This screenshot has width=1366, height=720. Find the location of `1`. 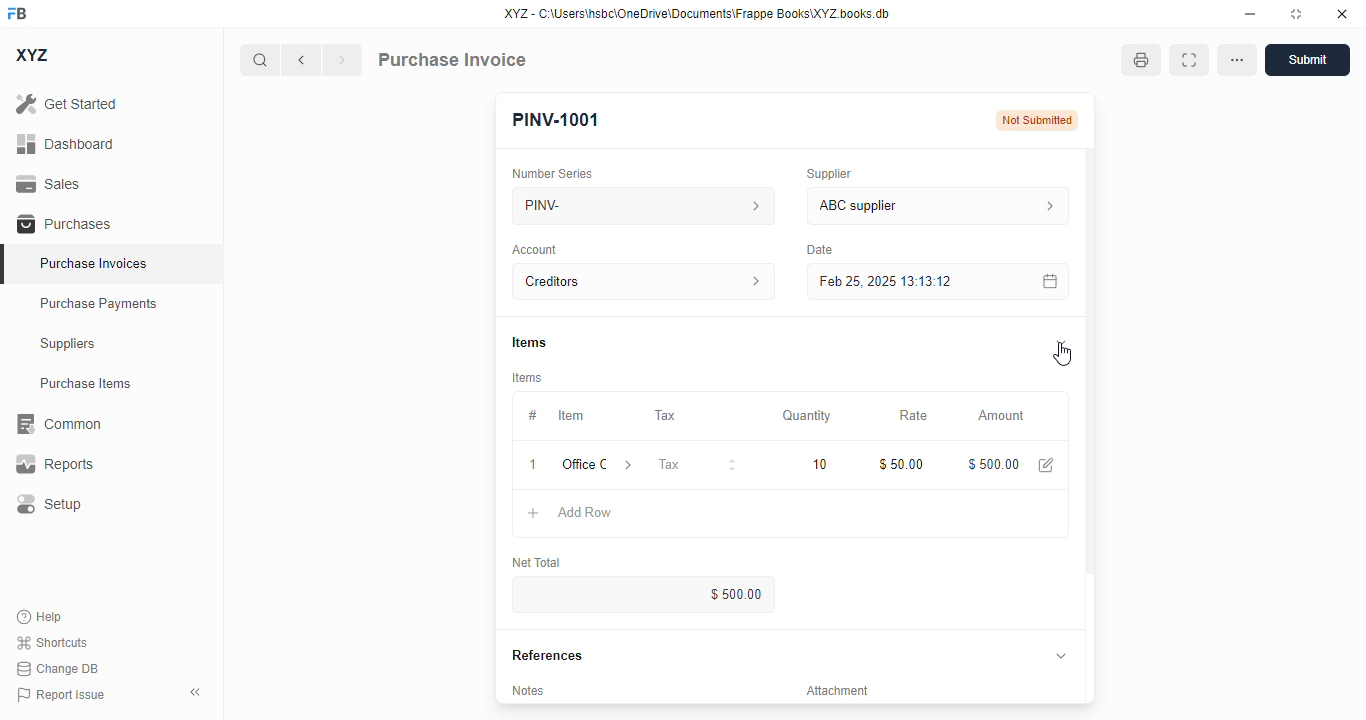

1 is located at coordinates (535, 464).